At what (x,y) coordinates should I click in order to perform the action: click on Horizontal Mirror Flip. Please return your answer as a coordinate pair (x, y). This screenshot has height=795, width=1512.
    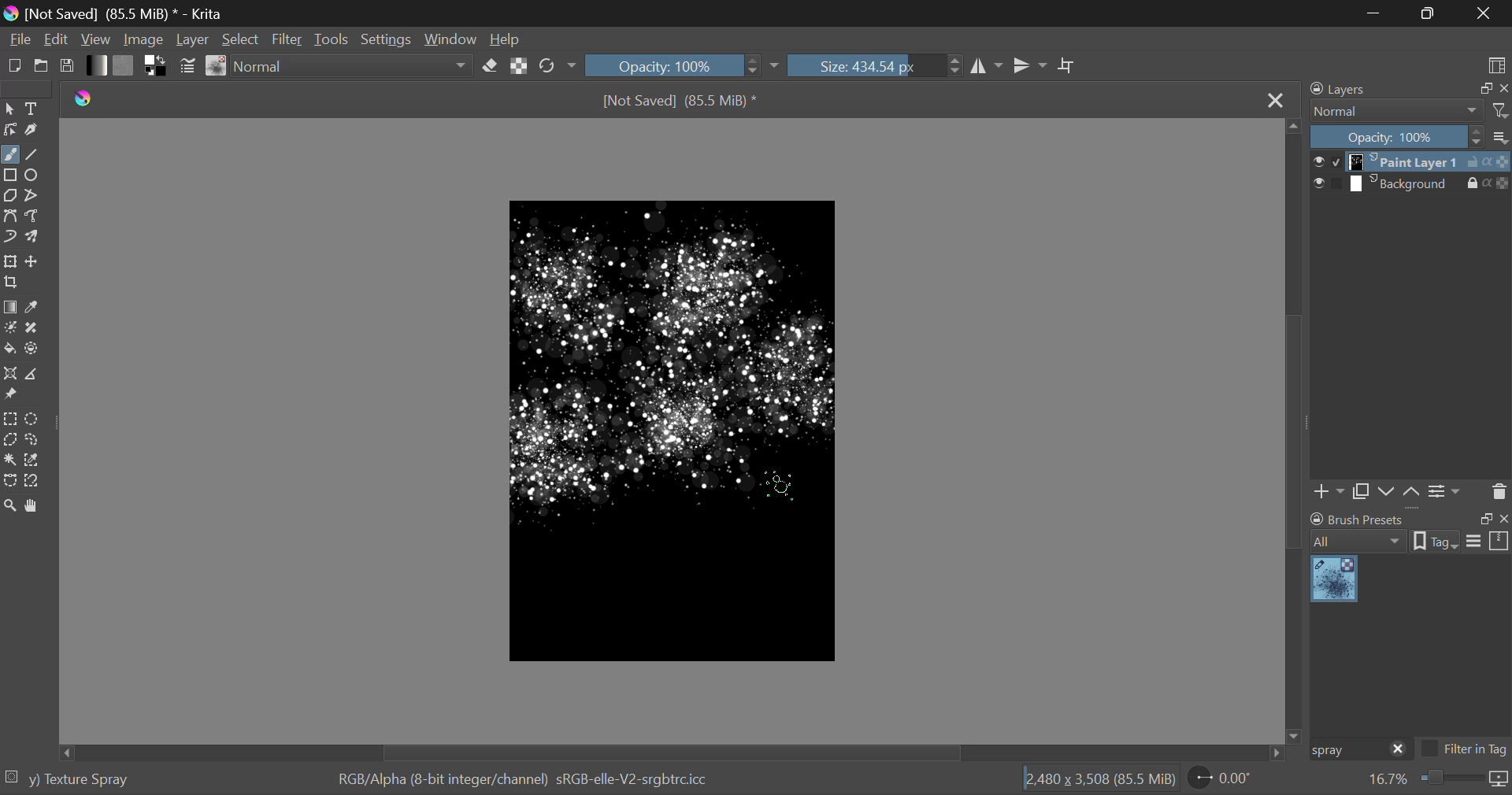
    Looking at the image, I should click on (1030, 65).